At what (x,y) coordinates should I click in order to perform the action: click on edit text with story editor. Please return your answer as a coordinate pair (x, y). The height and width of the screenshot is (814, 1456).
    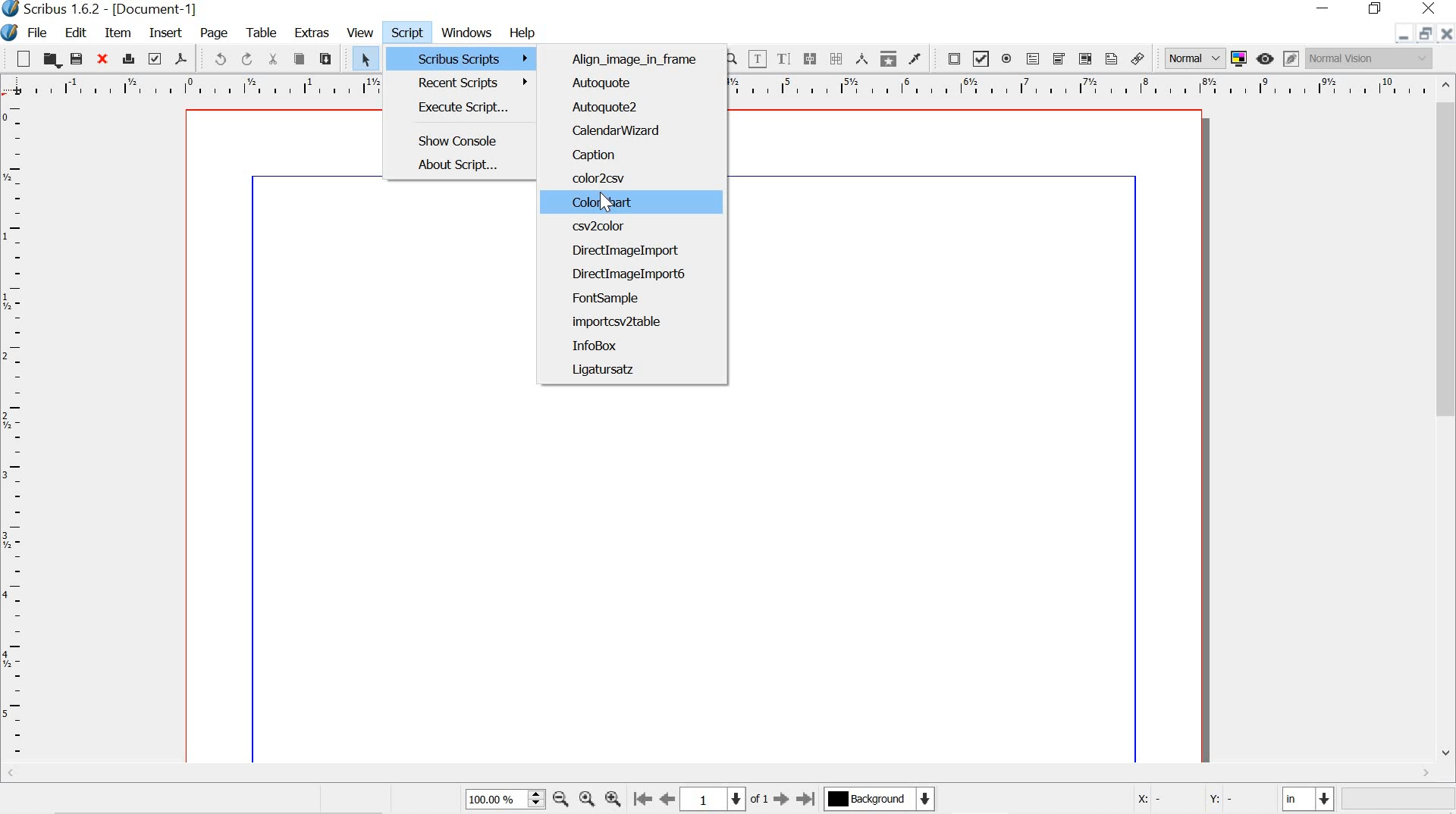
    Looking at the image, I should click on (783, 60).